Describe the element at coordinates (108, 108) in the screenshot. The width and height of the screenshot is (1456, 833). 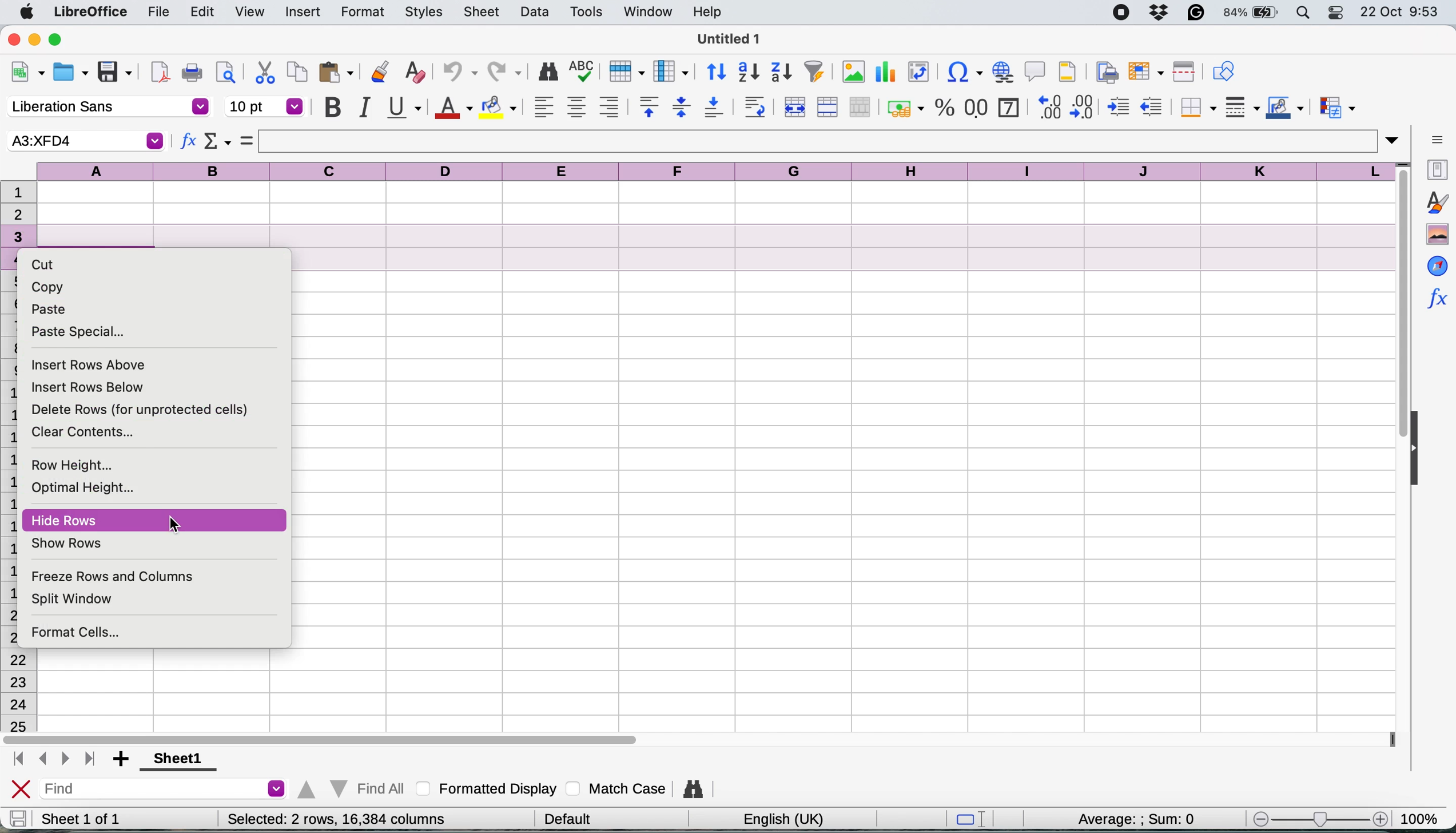
I see `font` at that location.